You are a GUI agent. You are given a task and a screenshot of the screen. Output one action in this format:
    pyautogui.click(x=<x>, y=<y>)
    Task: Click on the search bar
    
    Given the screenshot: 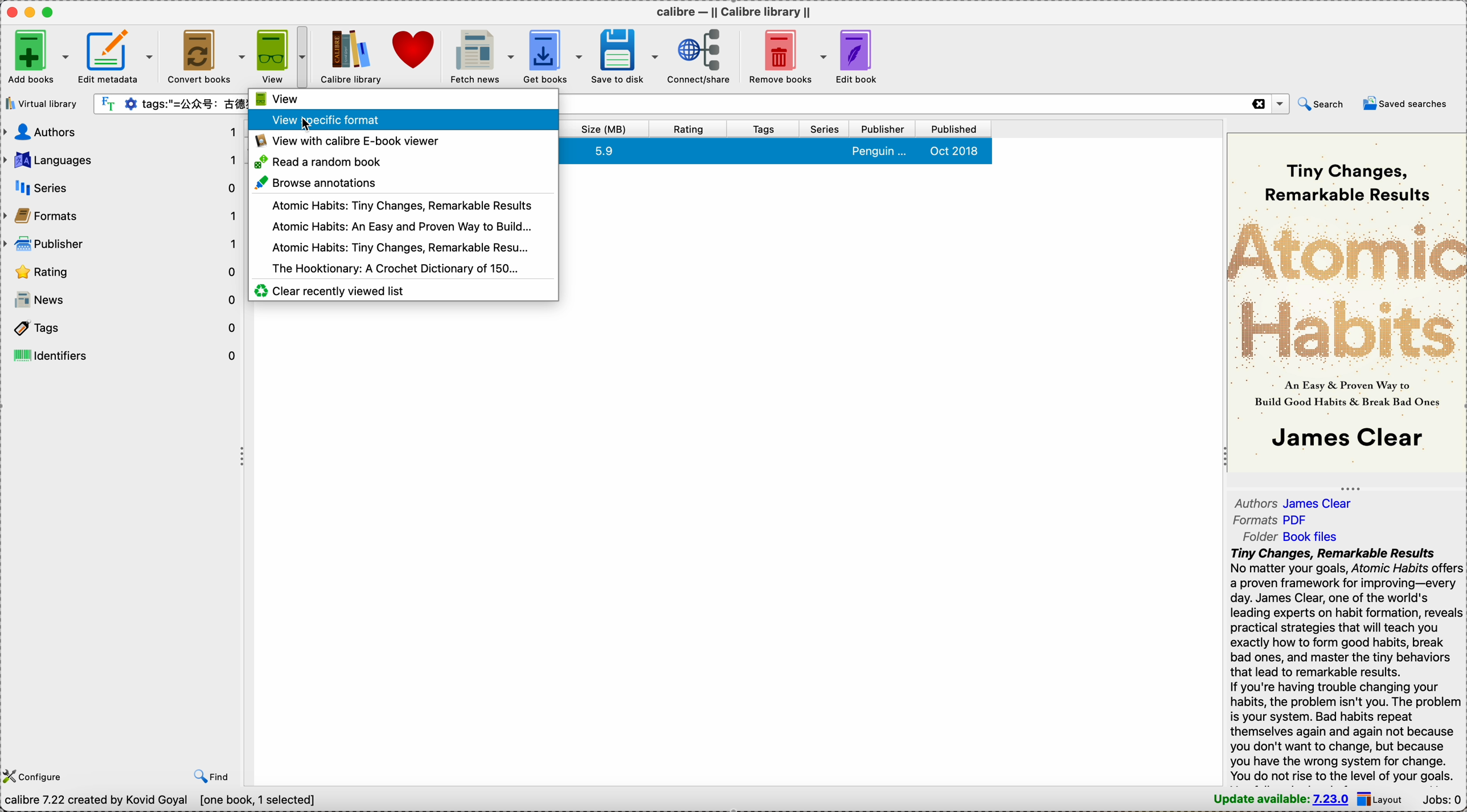 What is the action you would take?
    pyautogui.click(x=170, y=104)
    